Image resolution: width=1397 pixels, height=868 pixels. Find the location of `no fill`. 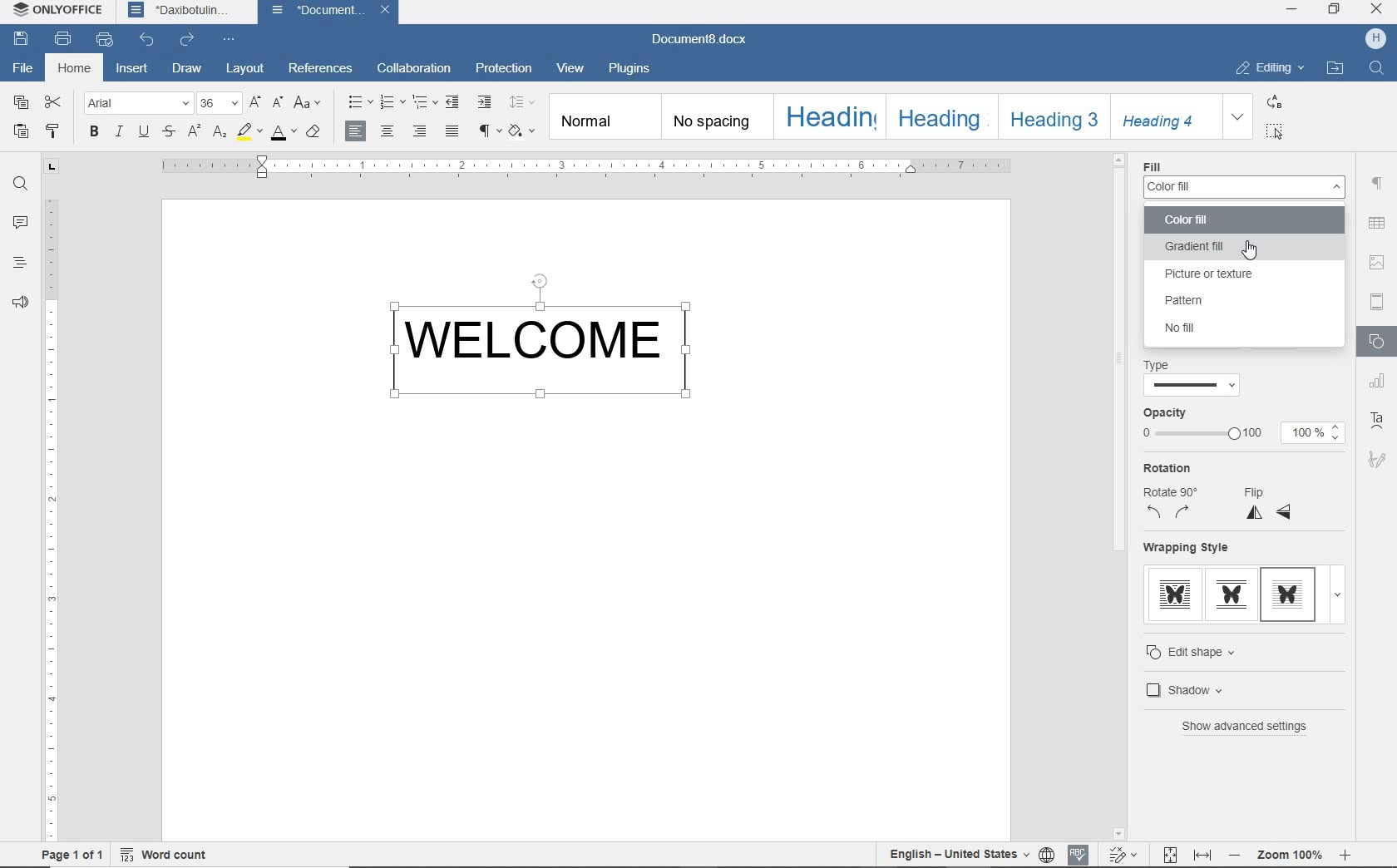

no fill is located at coordinates (1192, 328).